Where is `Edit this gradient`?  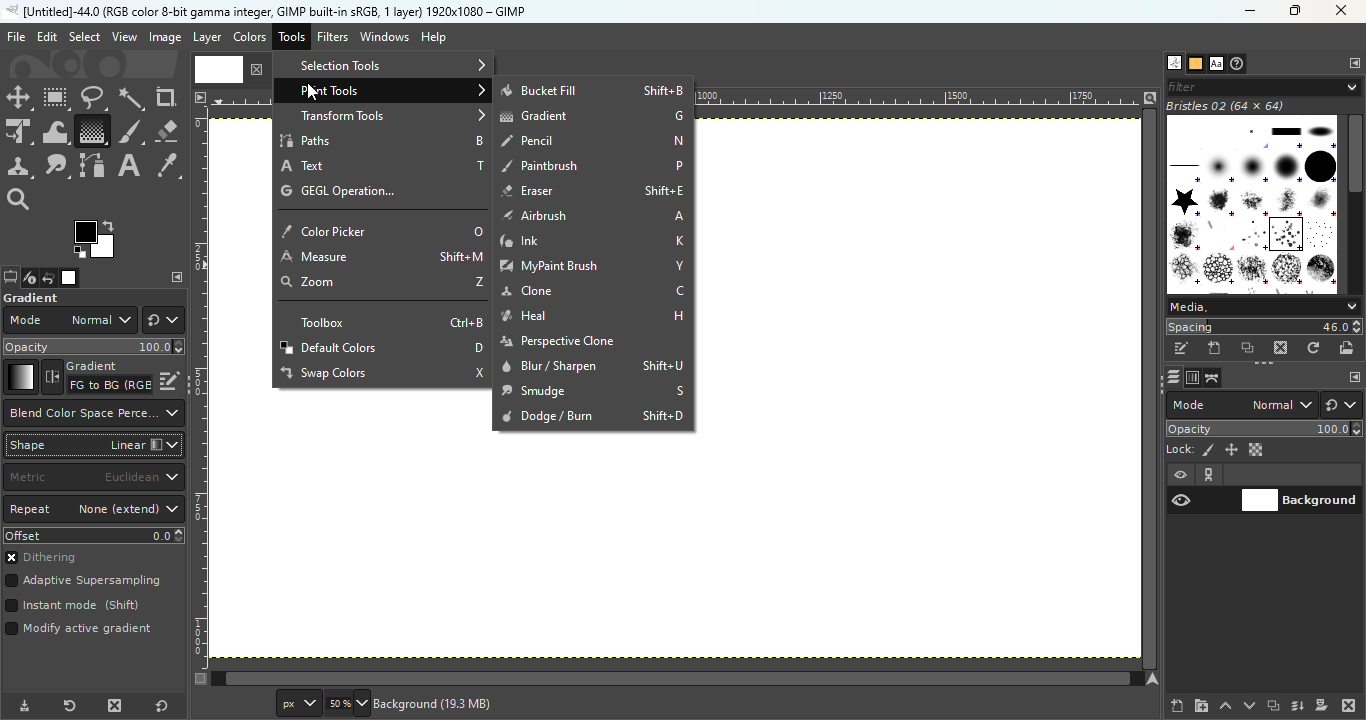
Edit this gradient is located at coordinates (170, 379).